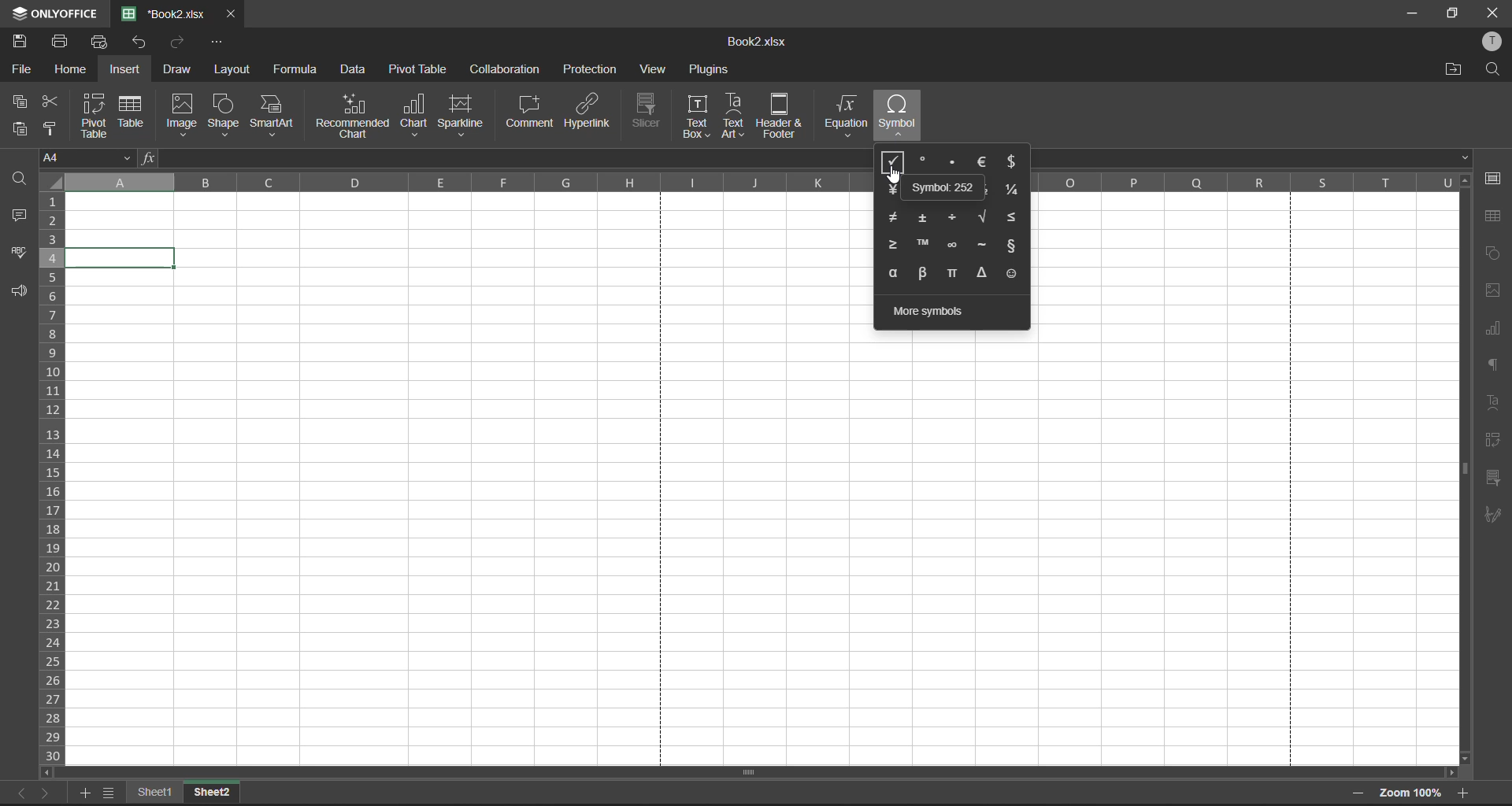 Image resolution: width=1512 pixels, height=806 pixels. What do you see at coordinates (508, 68) in the screenshot?
I see `collaboration` at bounding box center [508, 68].